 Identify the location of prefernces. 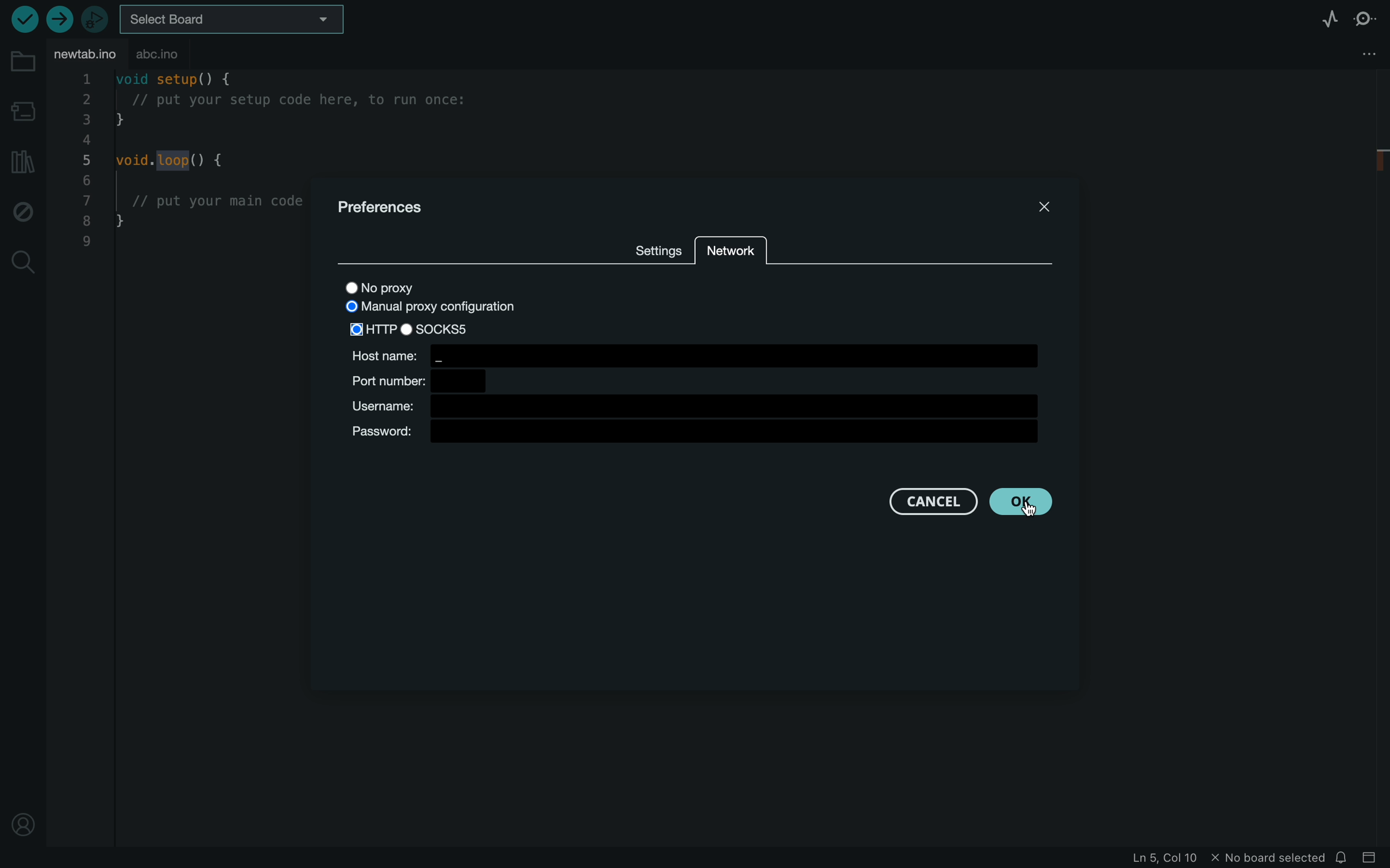
(391, 207).